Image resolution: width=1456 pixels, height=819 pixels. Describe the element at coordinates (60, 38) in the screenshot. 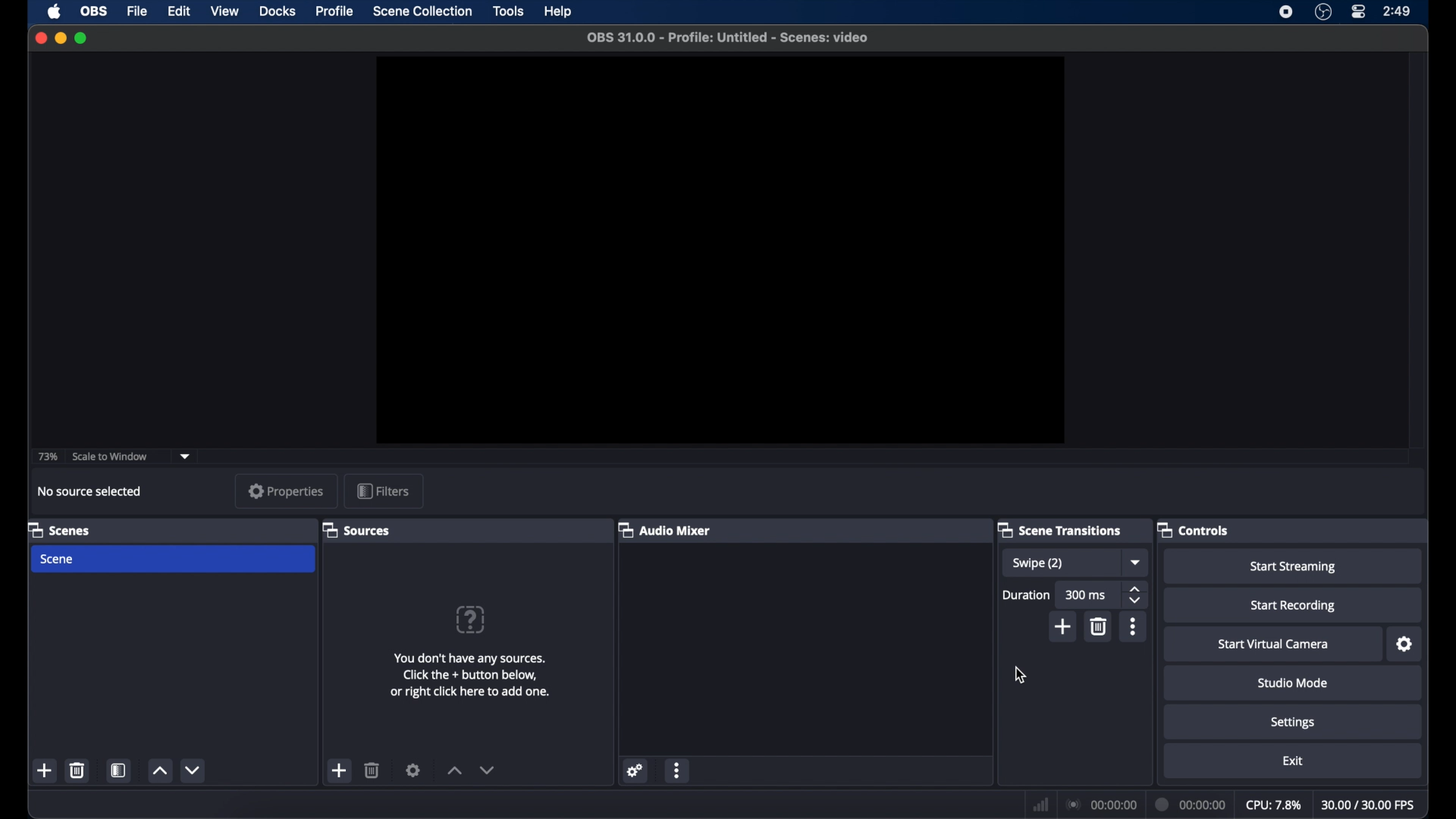

I see `minimize` at that location.